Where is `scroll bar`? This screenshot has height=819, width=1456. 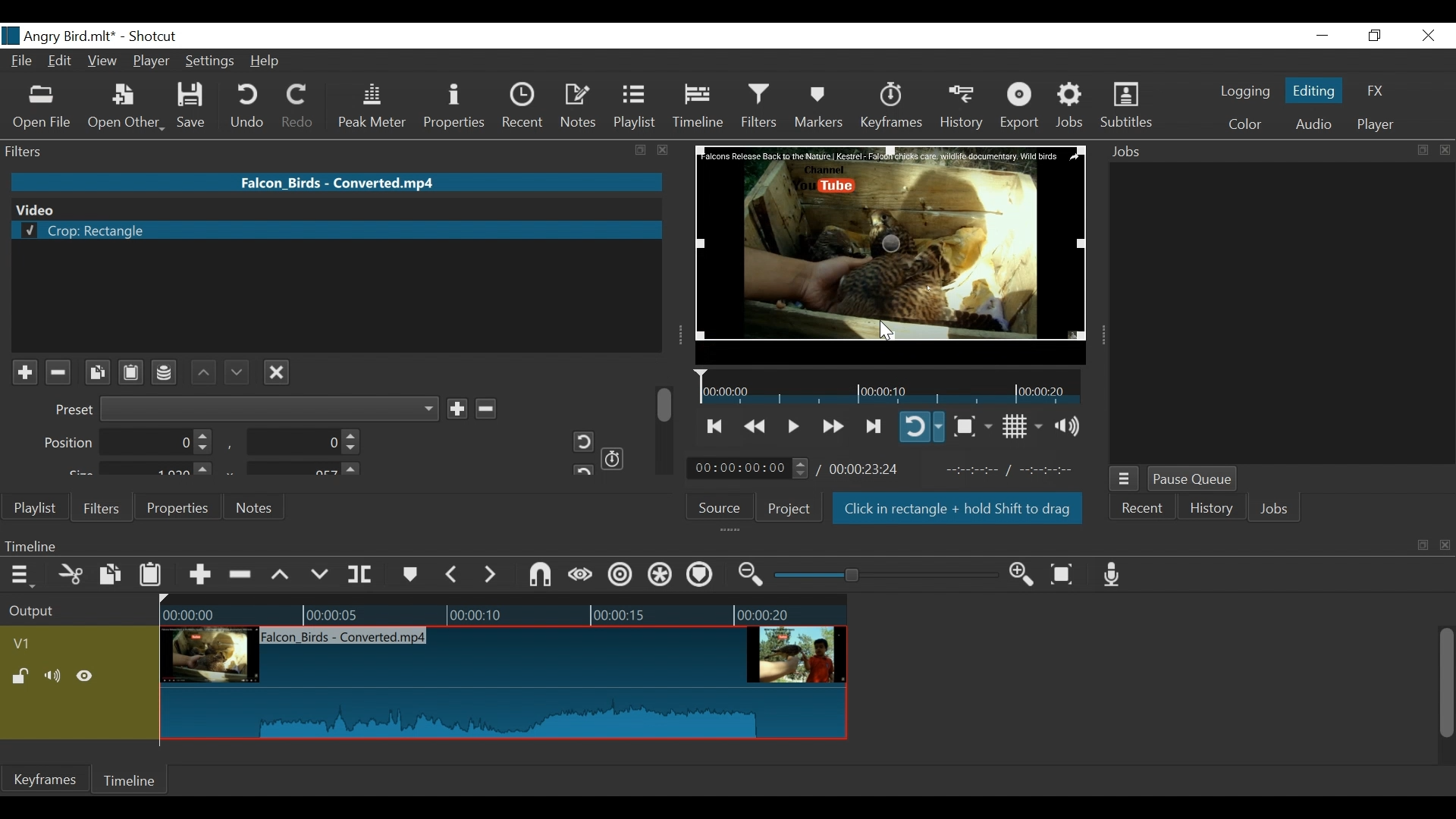 scroll bar is located at coordinates (666, 403).